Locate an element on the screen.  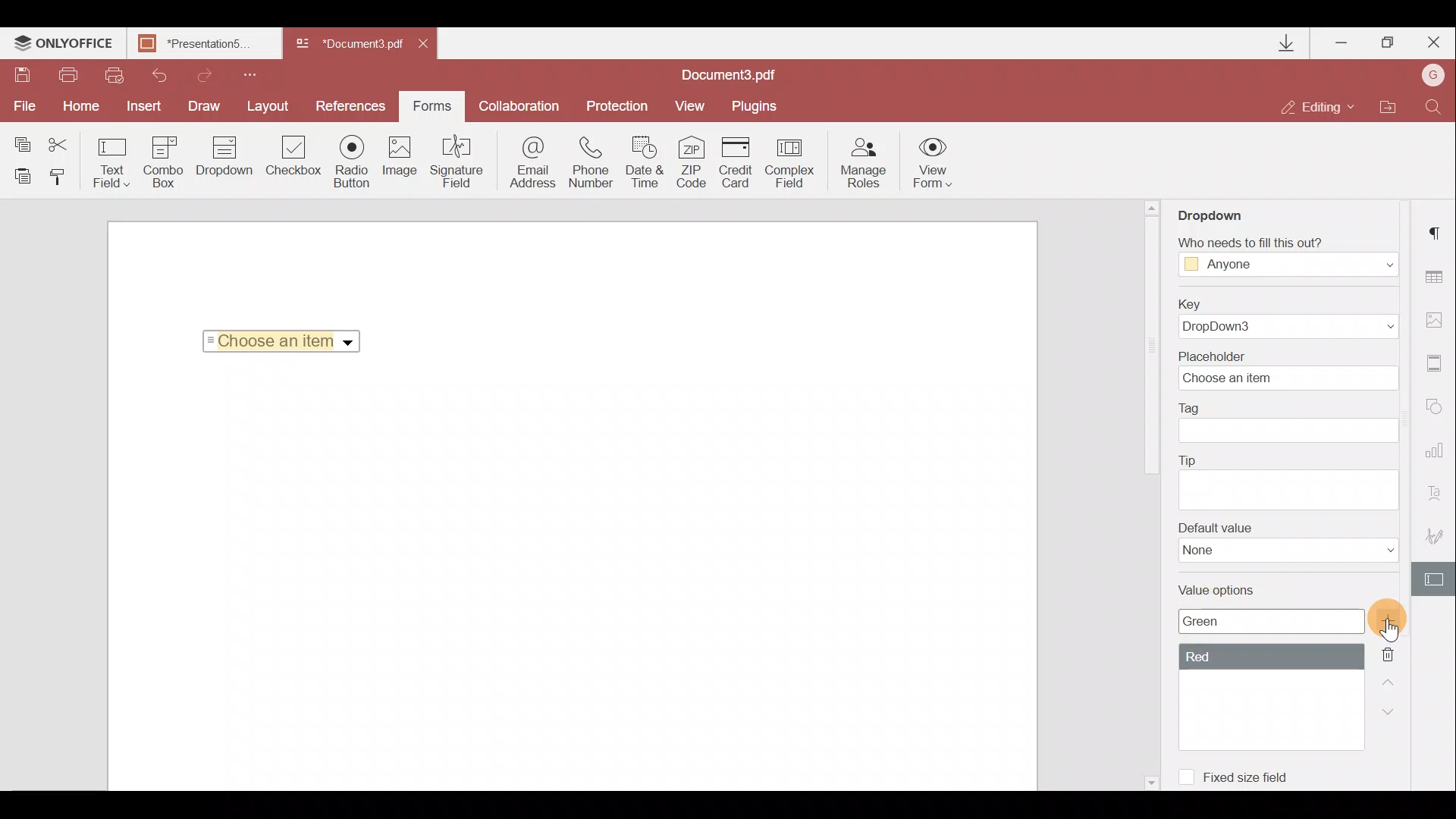
Print file is located at coordinates (73, 75).